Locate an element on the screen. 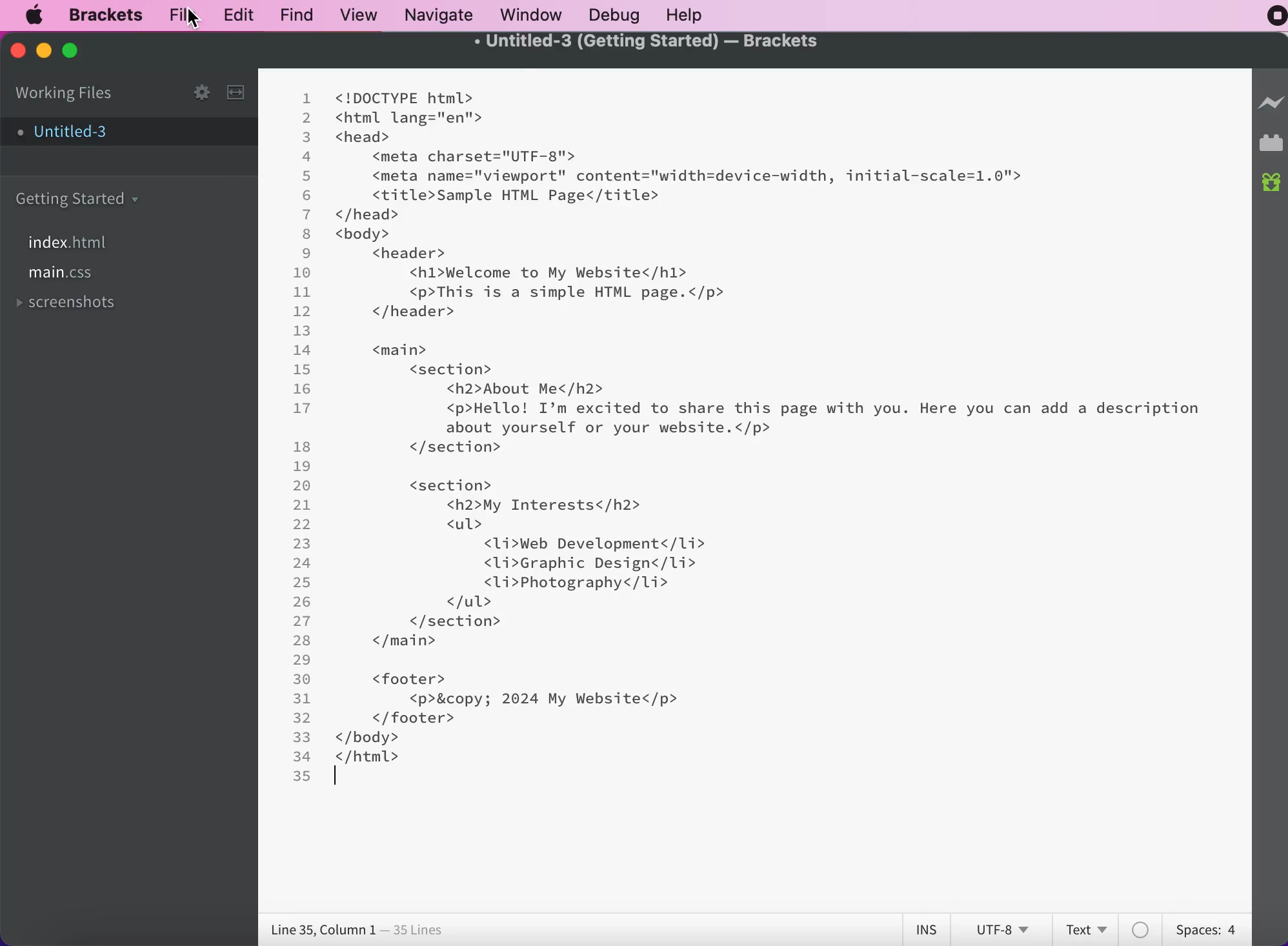  help is located at coordinates (701, 15).